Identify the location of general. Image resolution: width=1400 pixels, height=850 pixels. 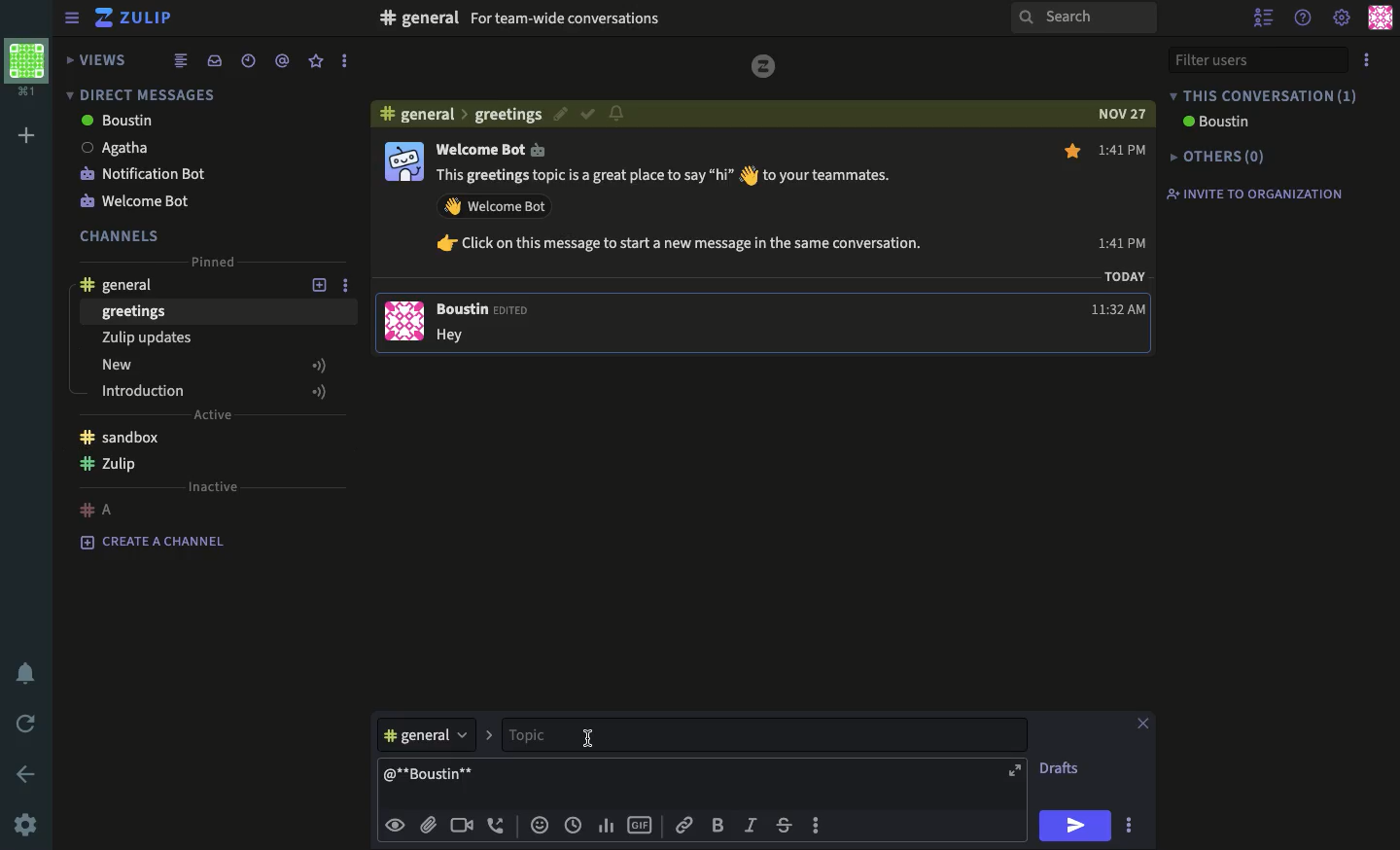
(119, 286).